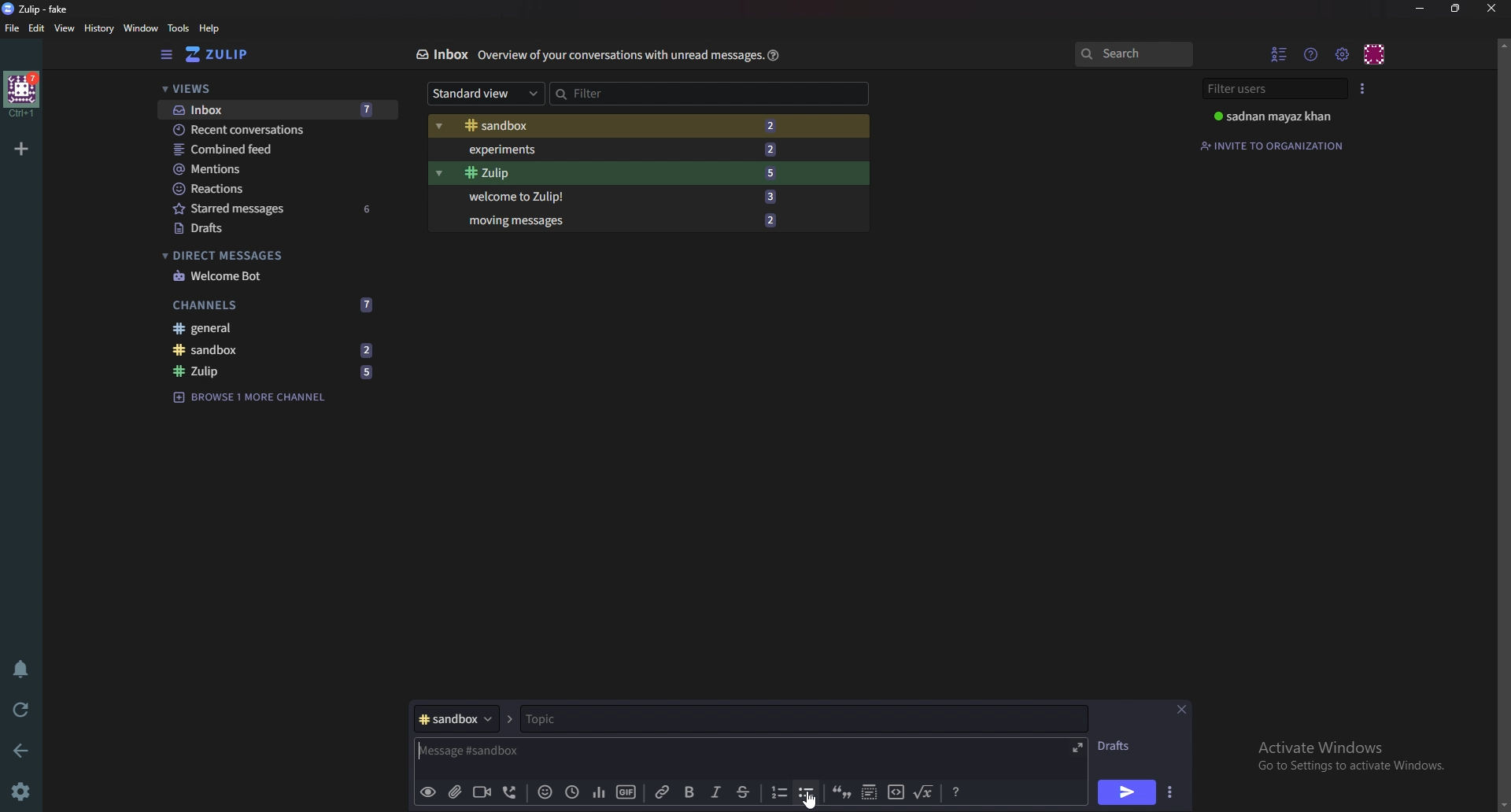  What do you see at coordinates (101, 28) in the screenshot?
I see `History` at bounding box center [101, 28].